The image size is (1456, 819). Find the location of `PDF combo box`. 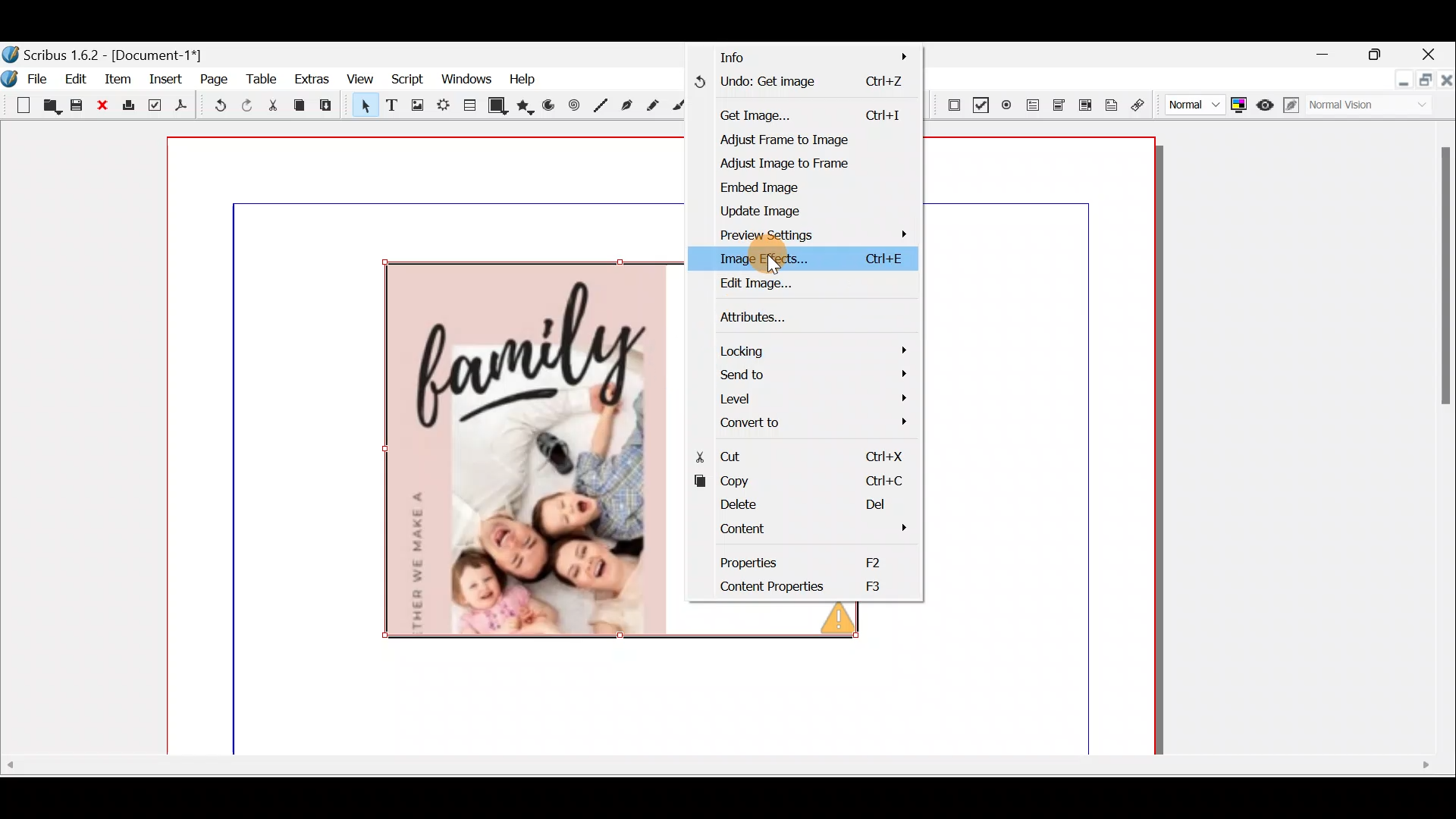

PDF combo box is located at coordinates (1060, 105).